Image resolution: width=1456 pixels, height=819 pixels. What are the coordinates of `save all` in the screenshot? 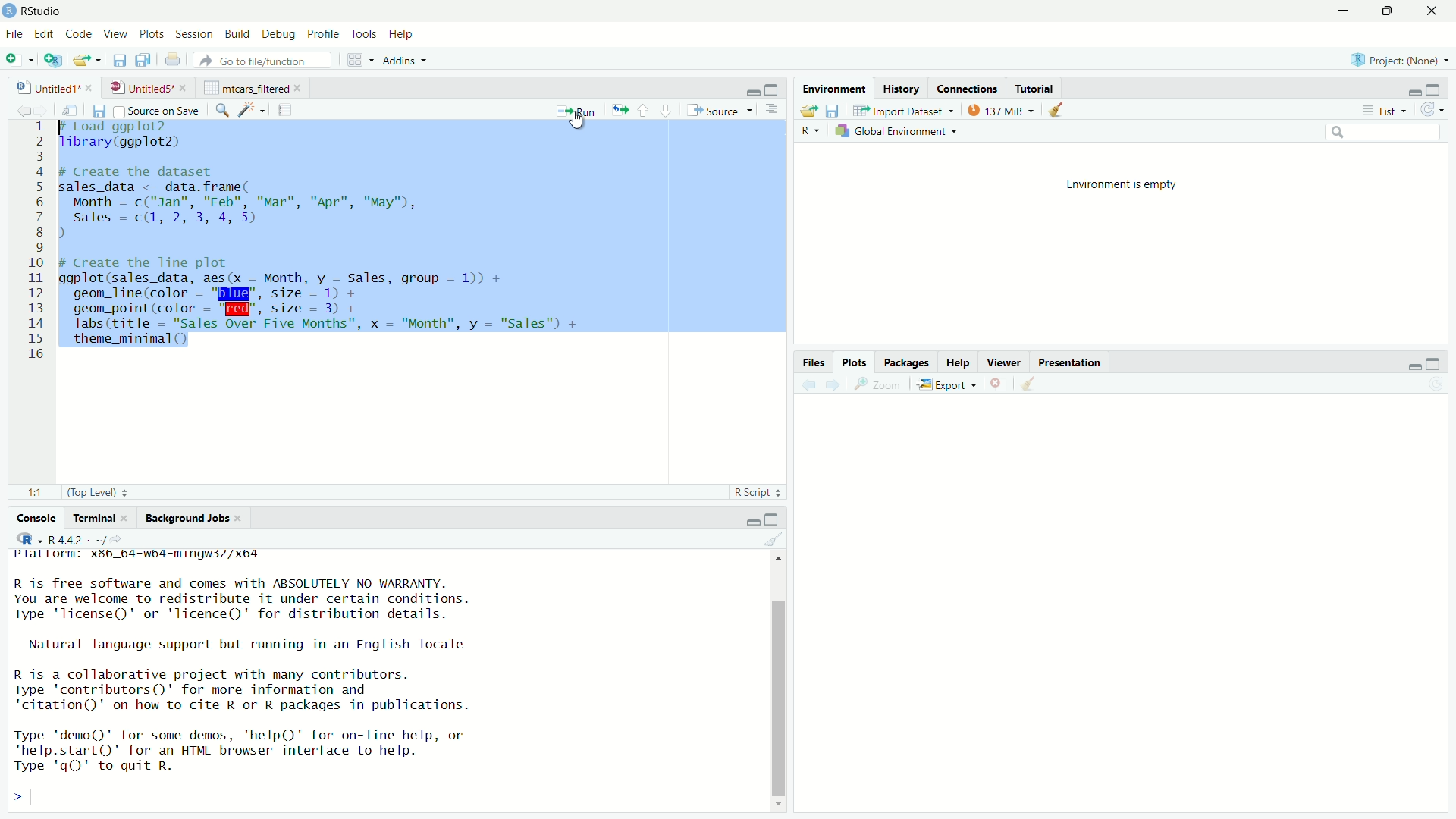 It's located at (143, 60).